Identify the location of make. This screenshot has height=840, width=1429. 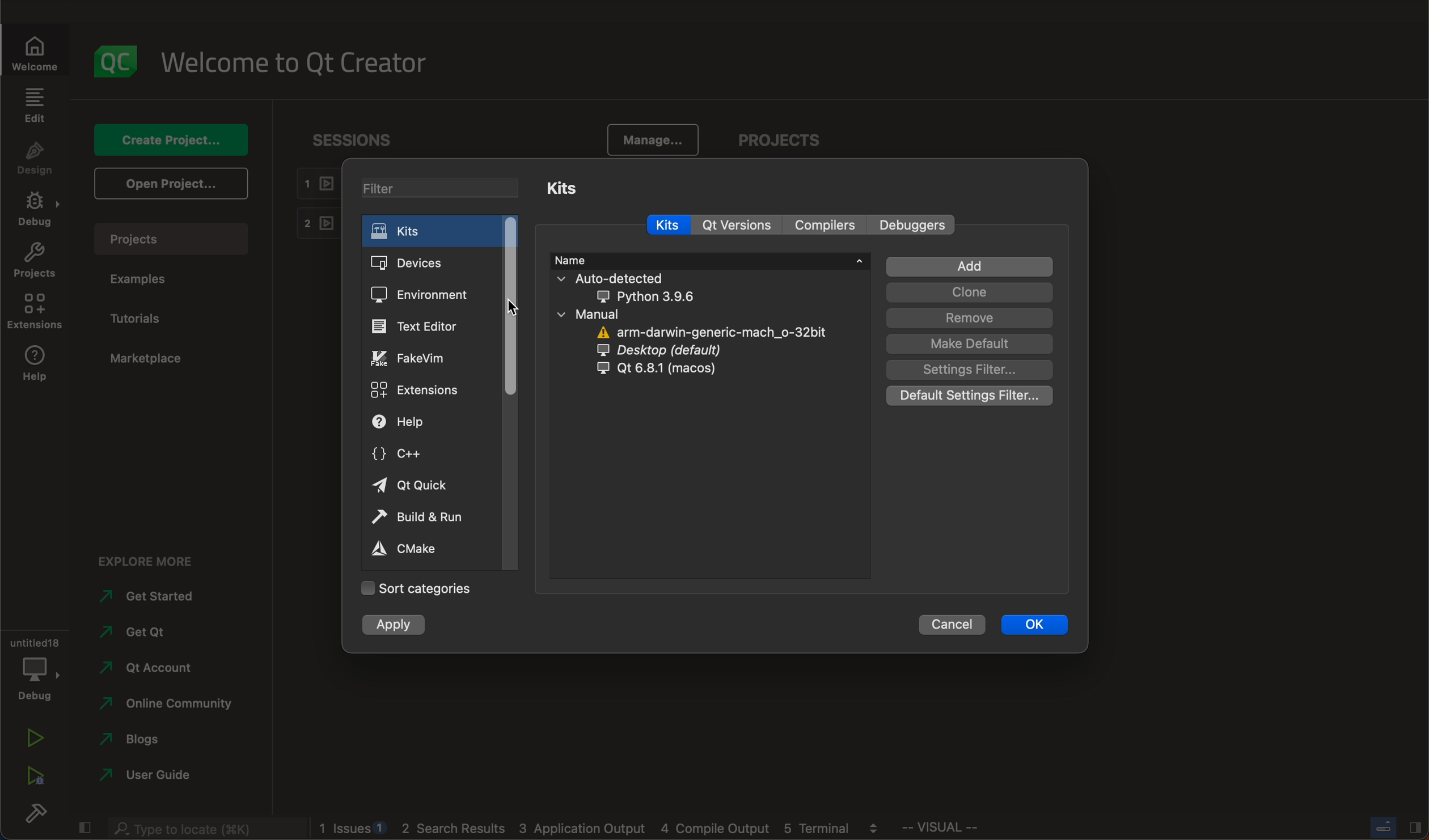
(971, 344).